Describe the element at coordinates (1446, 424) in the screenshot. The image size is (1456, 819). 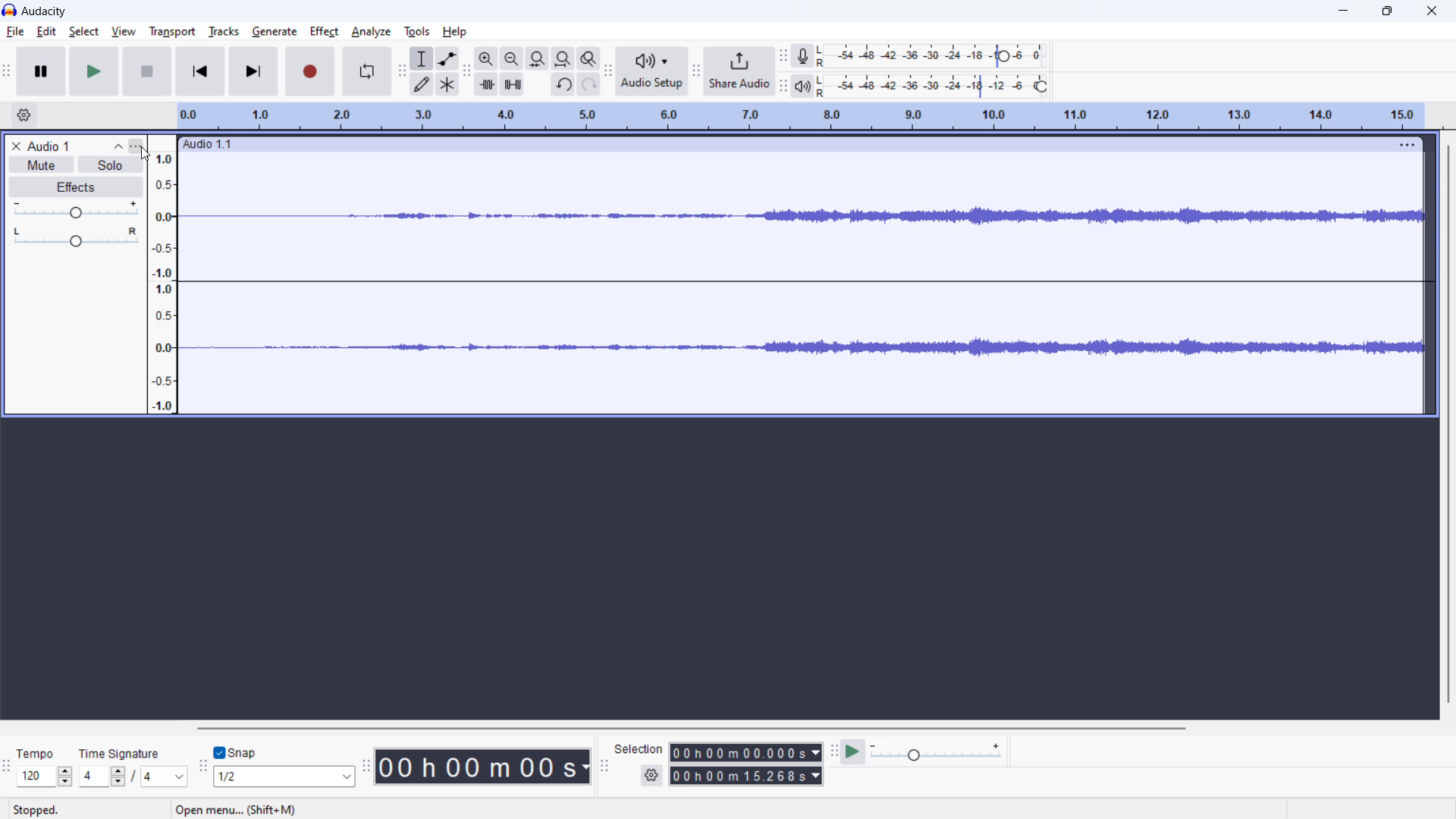
I see `scroll bar` at that location.